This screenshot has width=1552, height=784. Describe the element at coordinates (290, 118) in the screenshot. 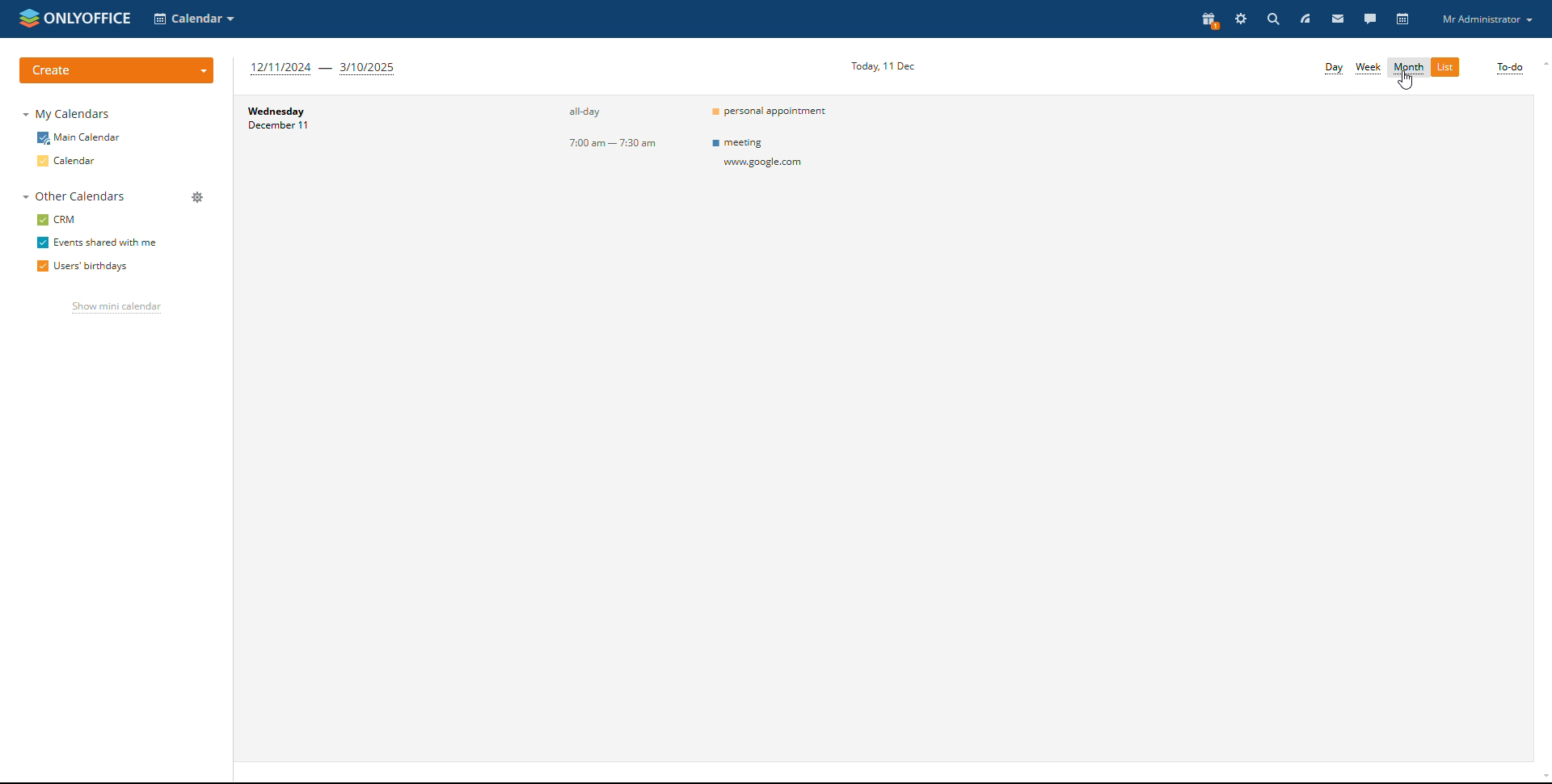

I see `day and date` at that location.